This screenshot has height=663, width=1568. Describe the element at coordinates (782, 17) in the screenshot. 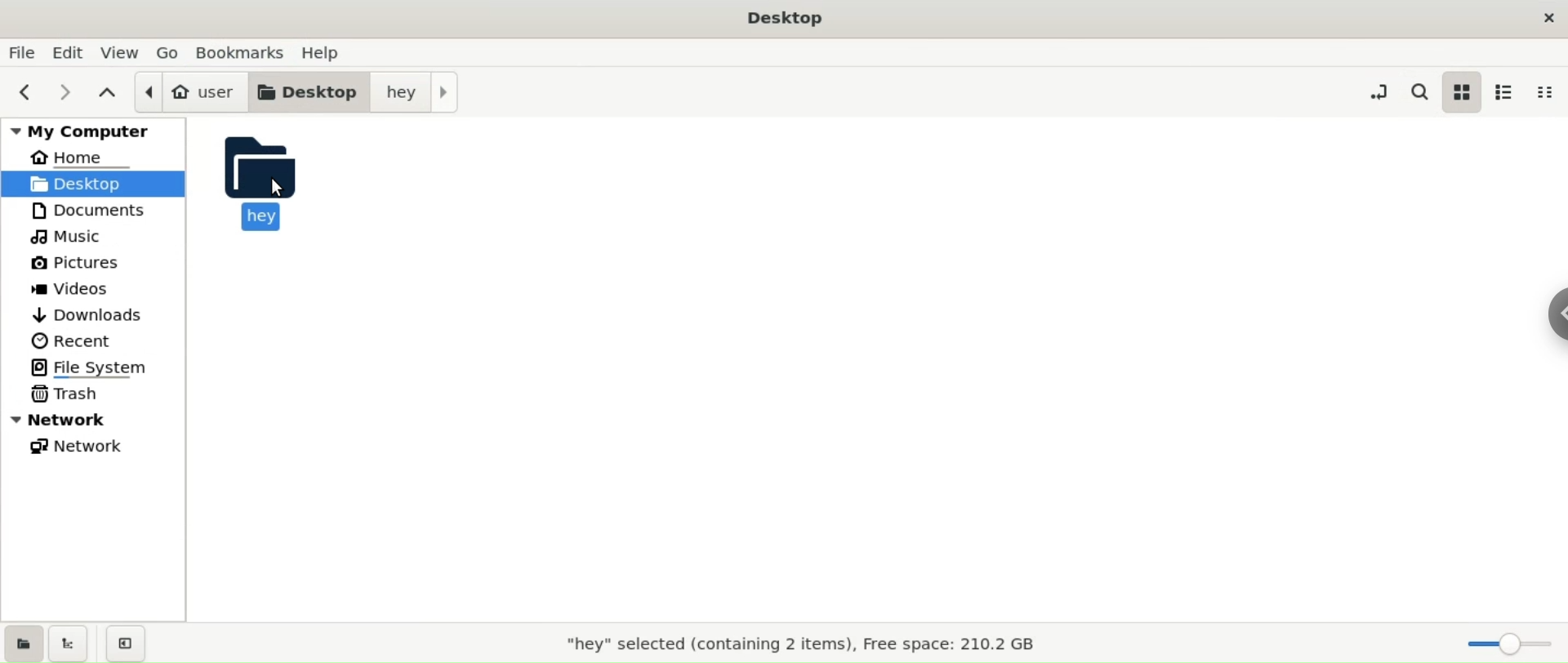

I see `Desktop` at that location.